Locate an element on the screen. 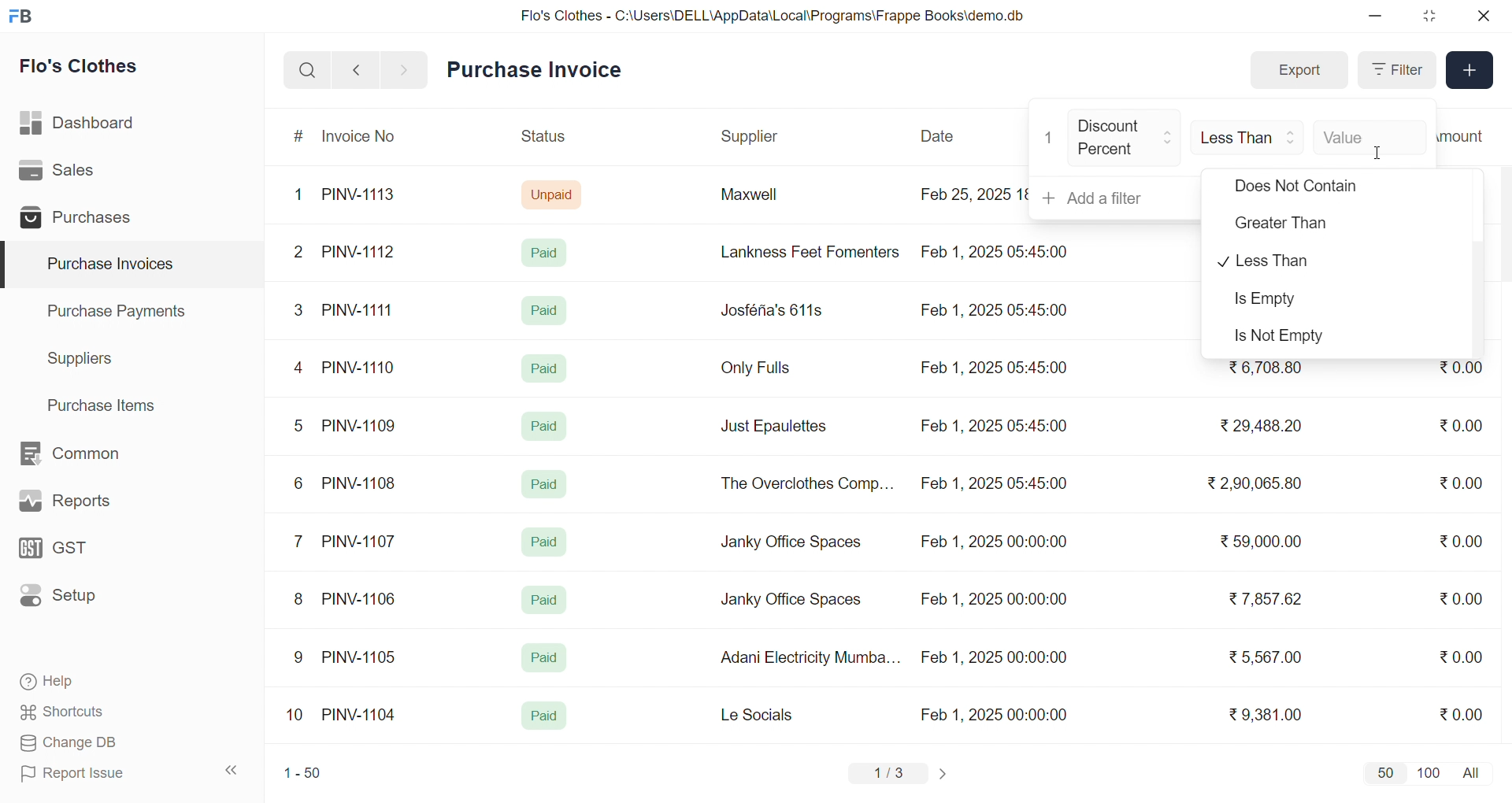  2 is located at coordinates (301, 254).